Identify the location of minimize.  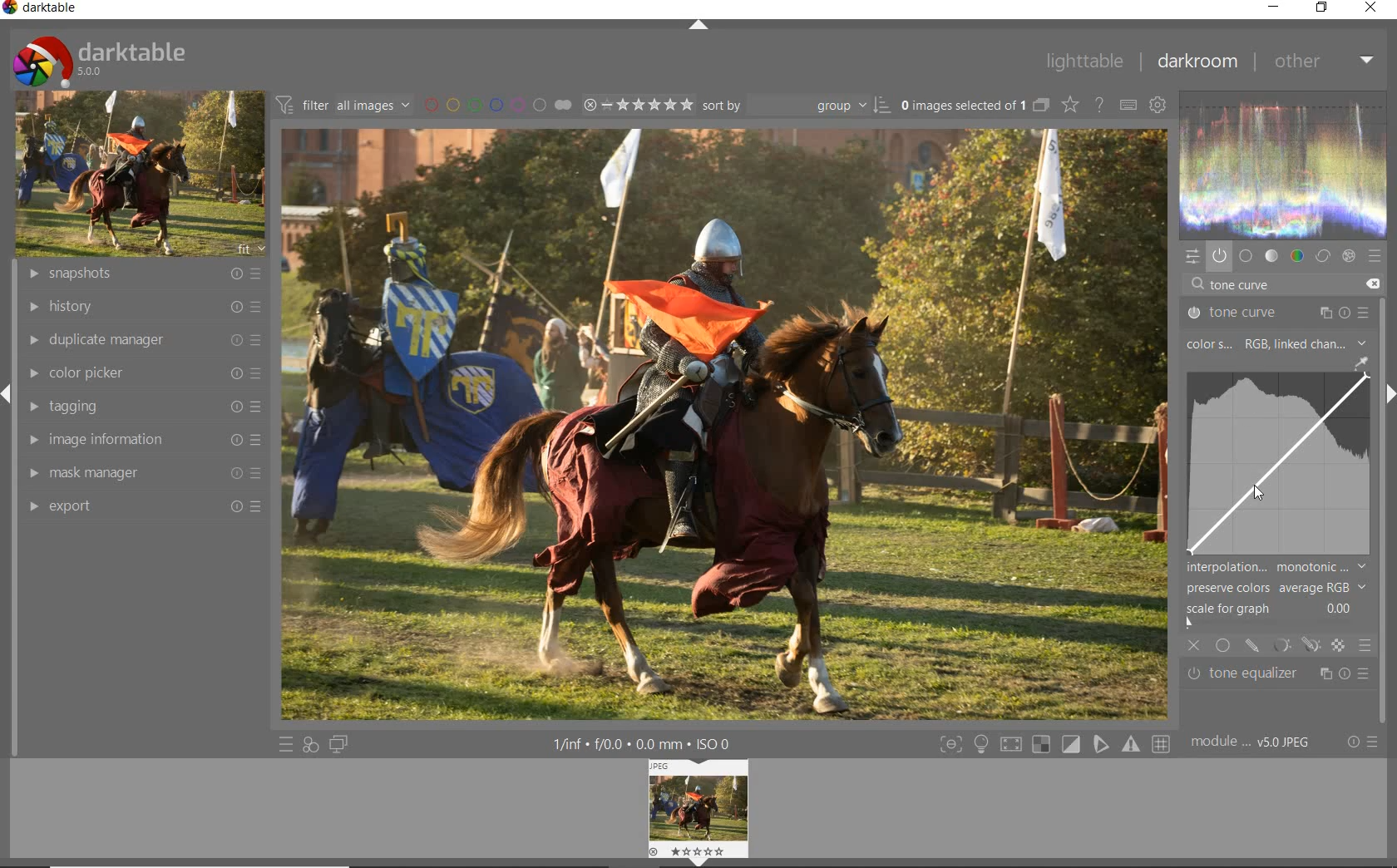
(1276, 7).